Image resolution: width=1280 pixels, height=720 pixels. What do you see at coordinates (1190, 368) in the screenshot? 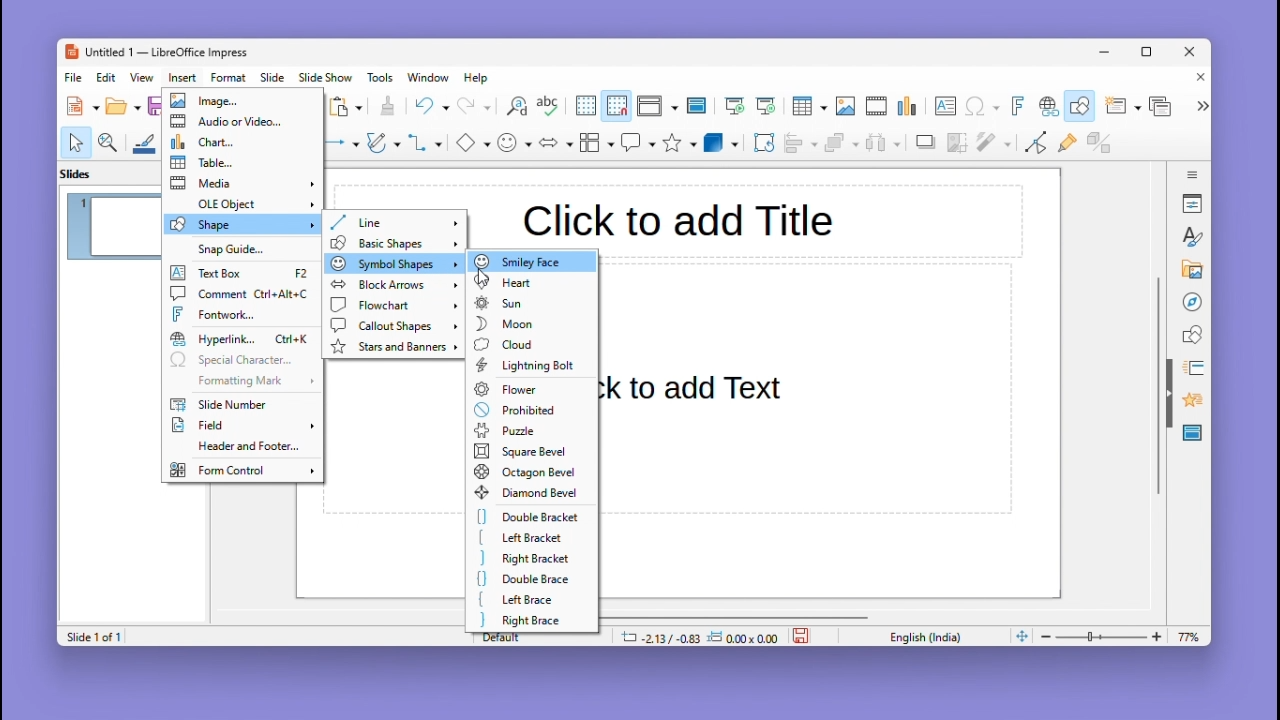
I see `Animation` at bounding box center [1190, 368].